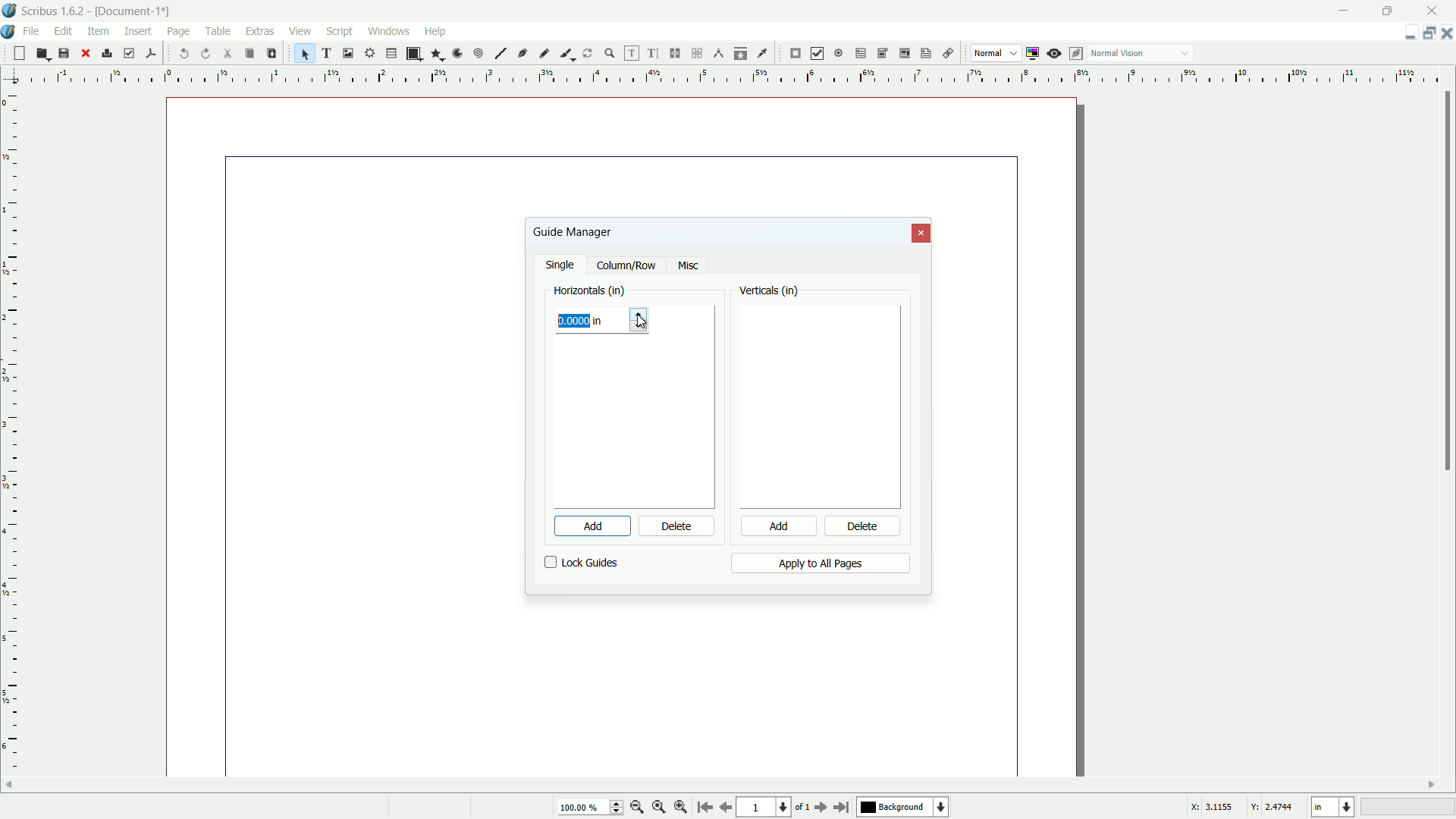  What do you see at coordinates (1119, 54) in the screenshot?
I see `normal vision` at bounding box center [1119, 54].